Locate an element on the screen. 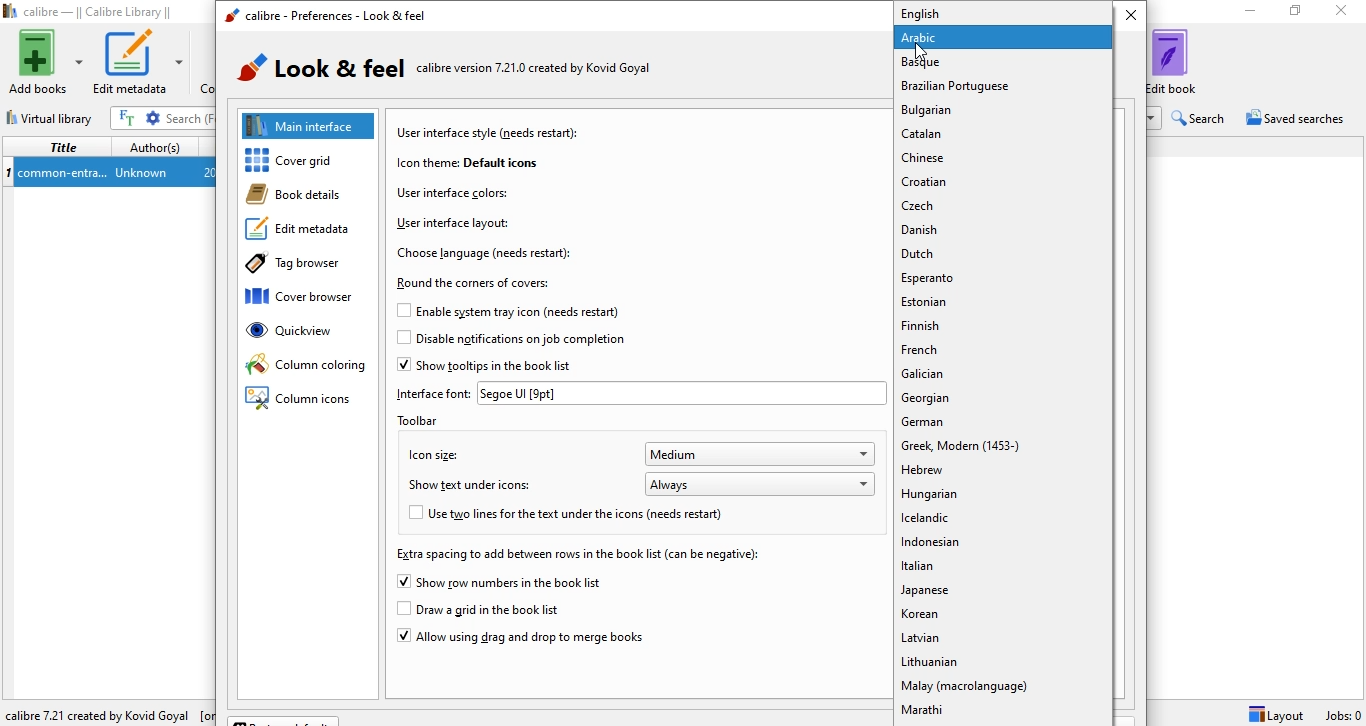  one book entry is located at coordinates (108, 173).